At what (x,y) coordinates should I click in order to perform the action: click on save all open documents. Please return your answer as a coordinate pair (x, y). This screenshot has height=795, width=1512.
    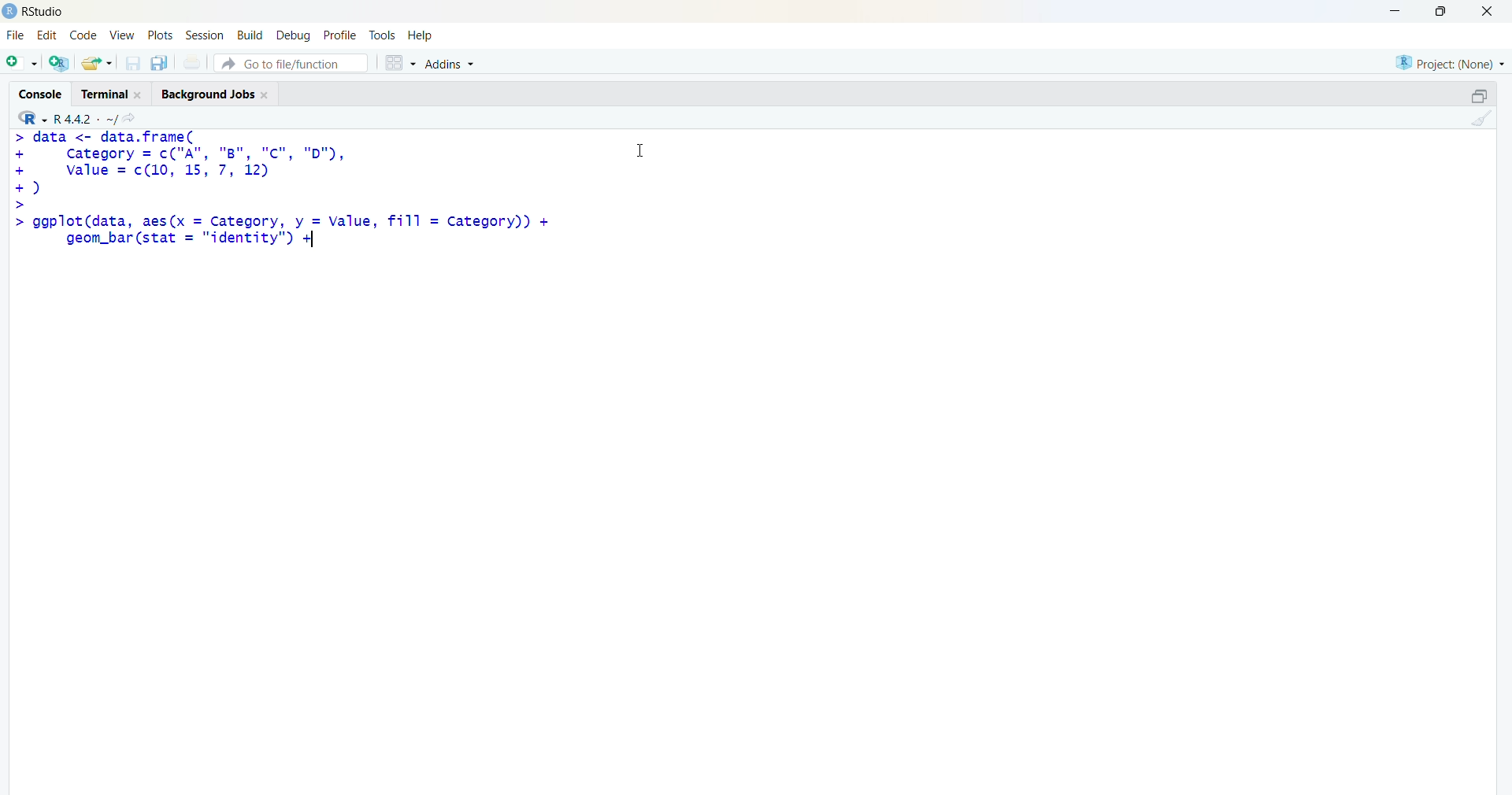
    Looking at the image, I should click on (158, 63).